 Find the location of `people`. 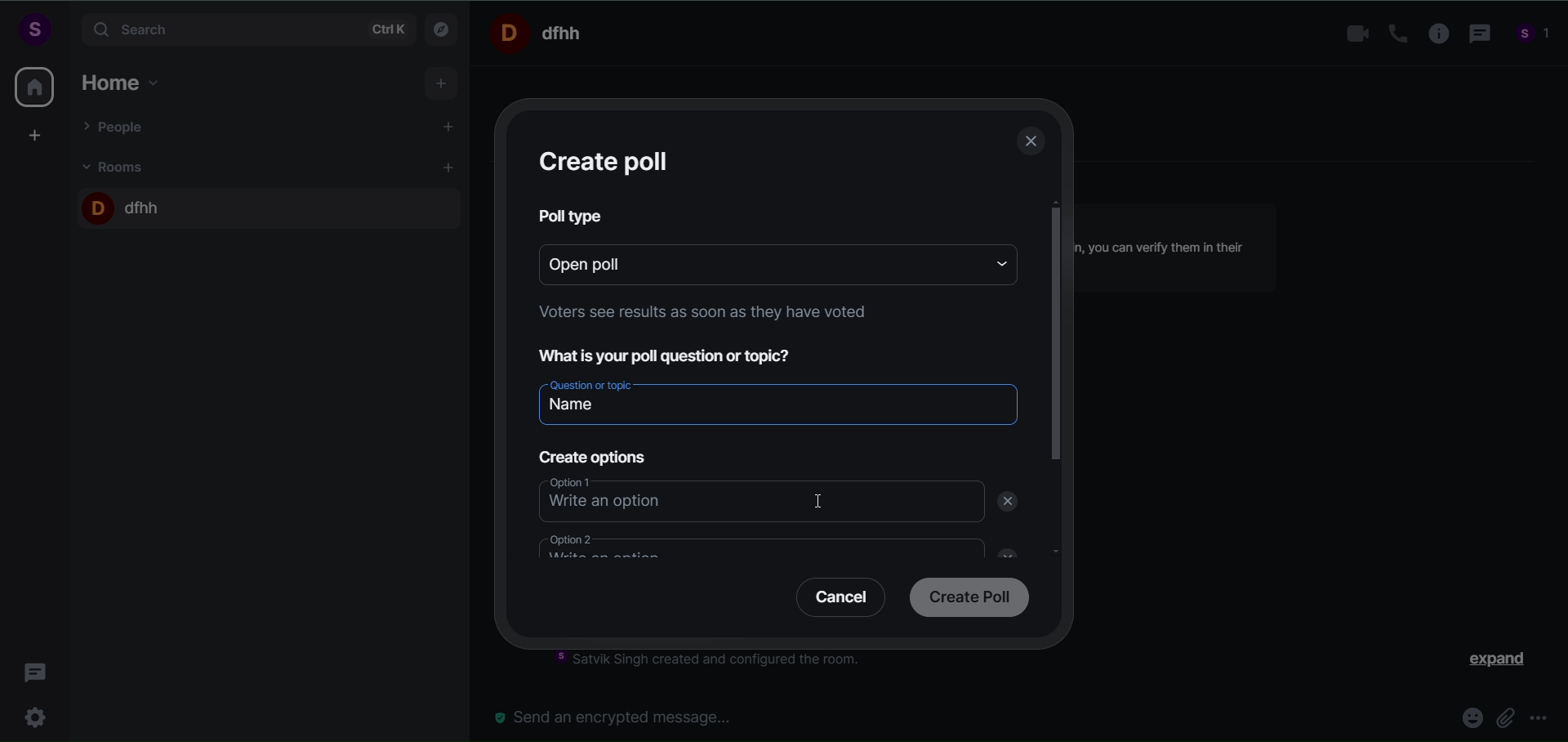

people is located at coordinates (117, 126).